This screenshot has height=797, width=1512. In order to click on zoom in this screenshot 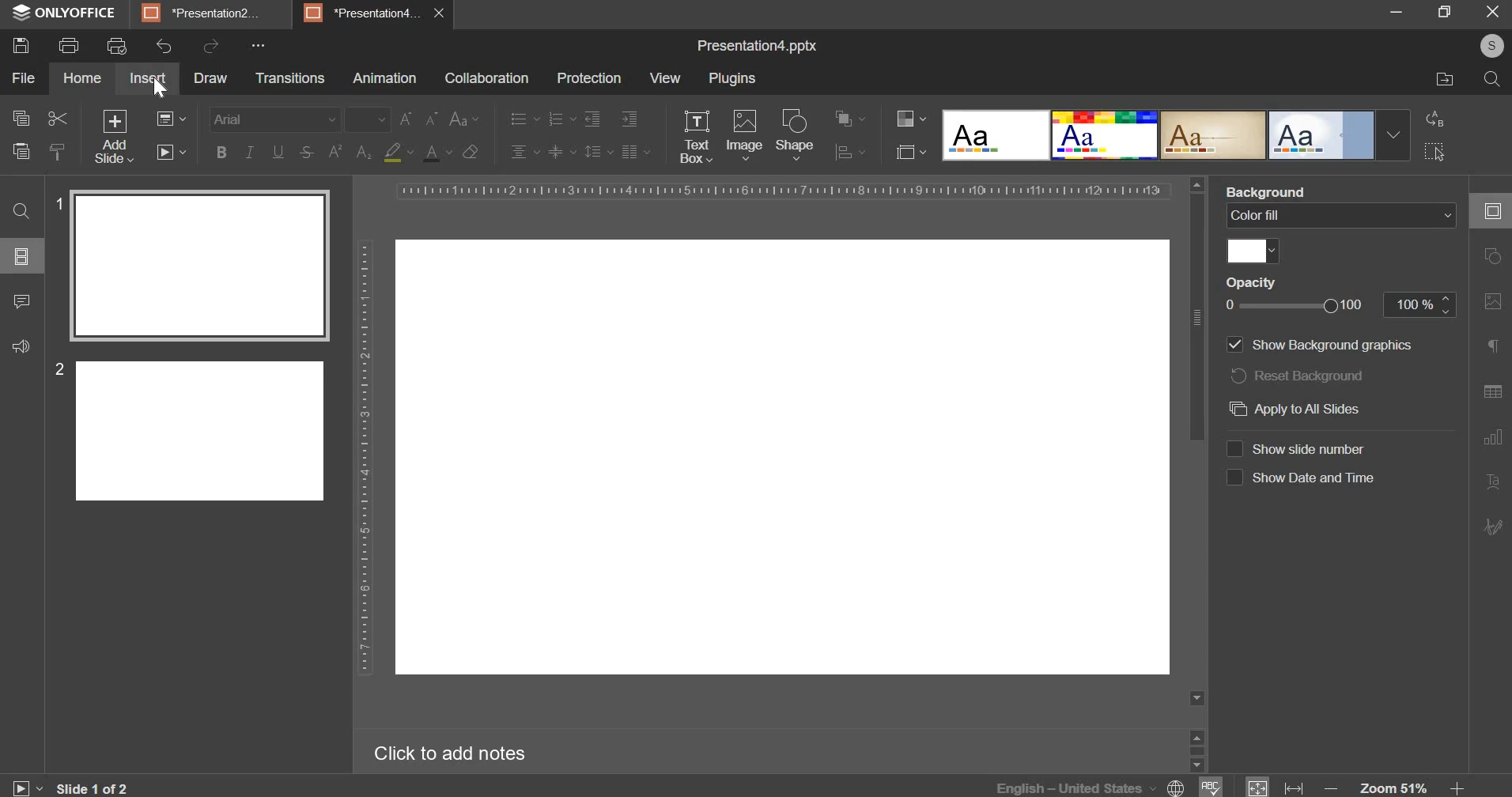, I will do `click(1397, 784)`.